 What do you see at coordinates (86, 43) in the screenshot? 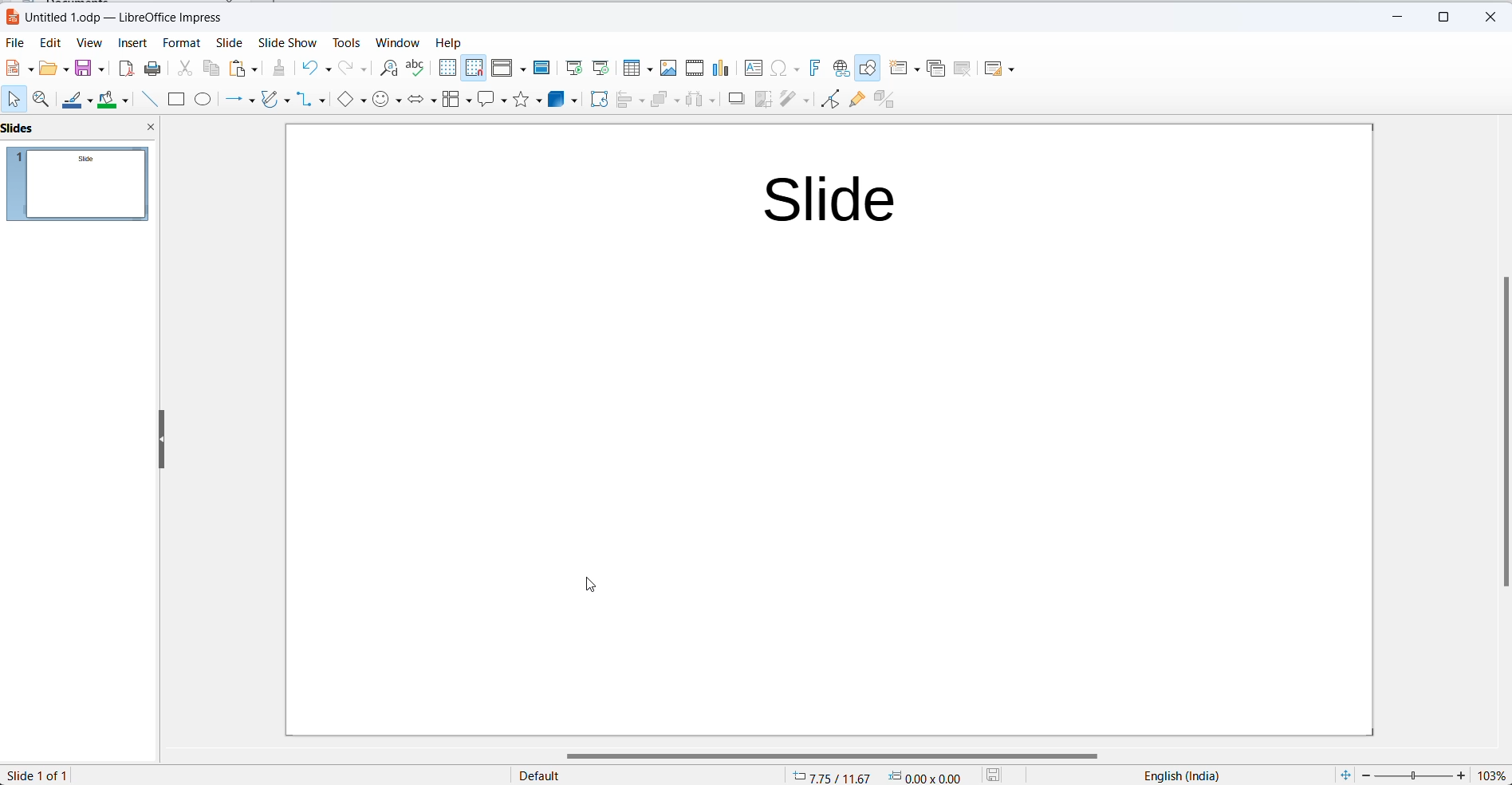
I see `view` at bounding box center [86, 43].